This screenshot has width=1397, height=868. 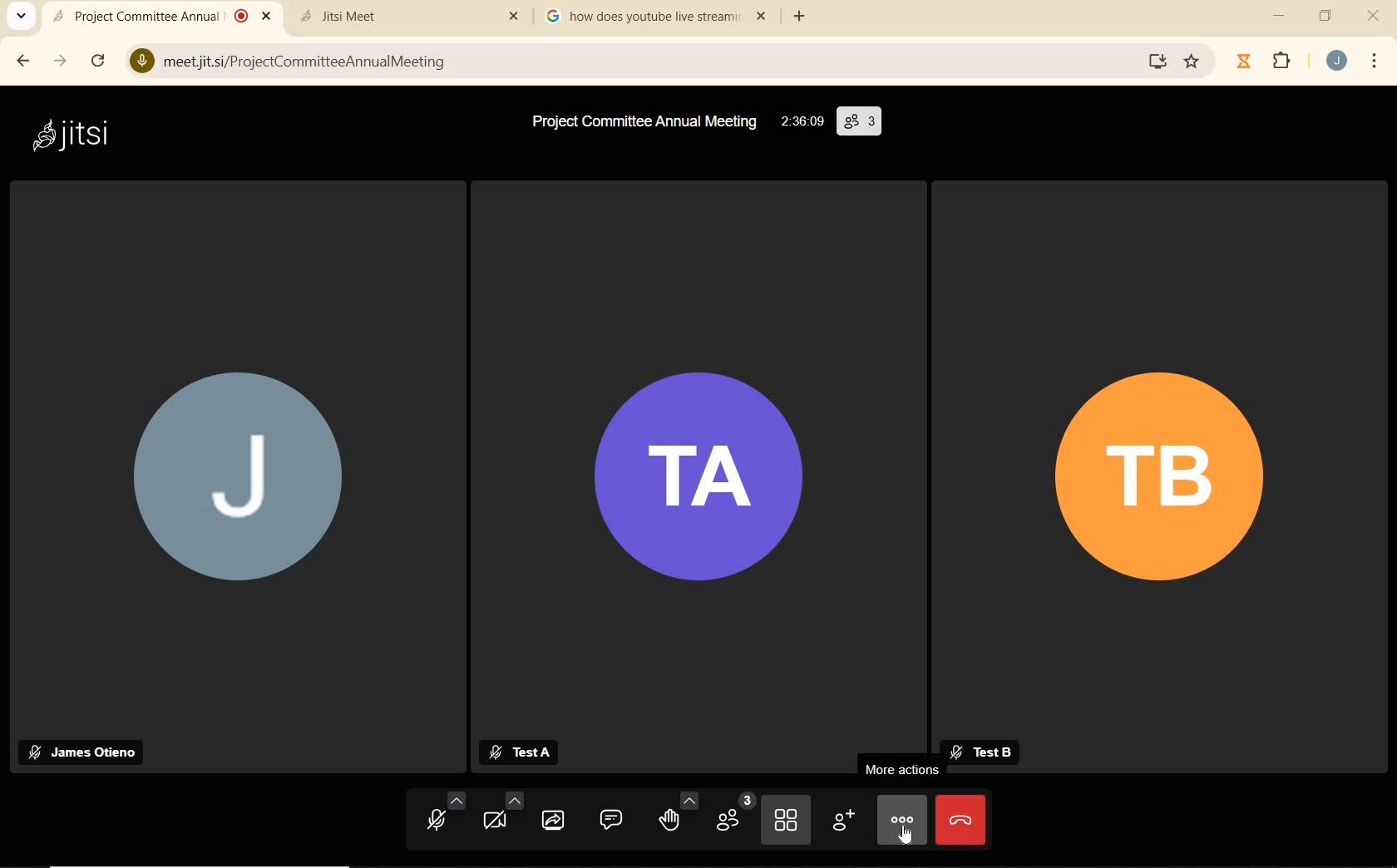 I want to click on CLOSE, so click(x=1368, y=15).